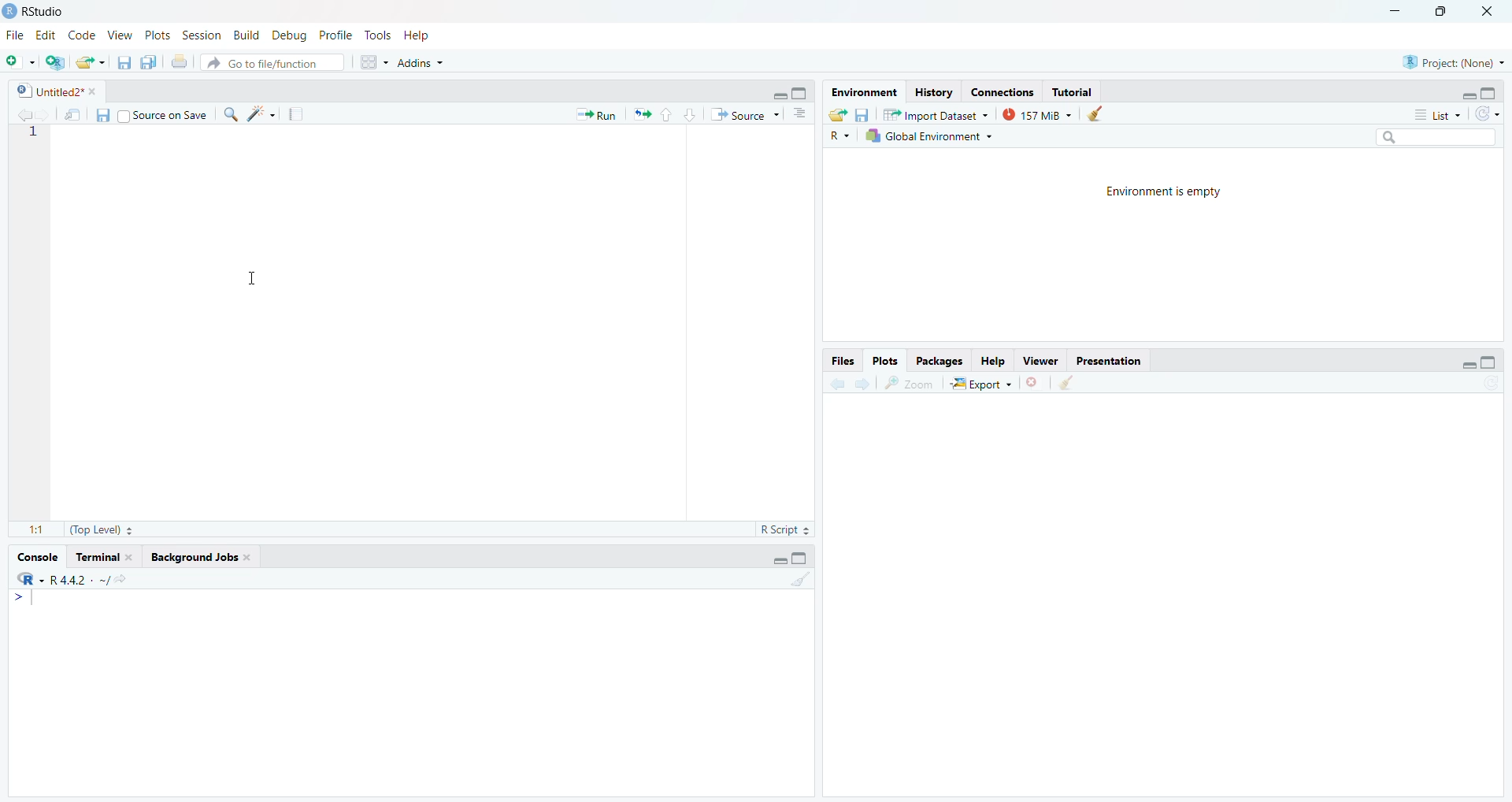  I want to click on search, so click(1436, 136).